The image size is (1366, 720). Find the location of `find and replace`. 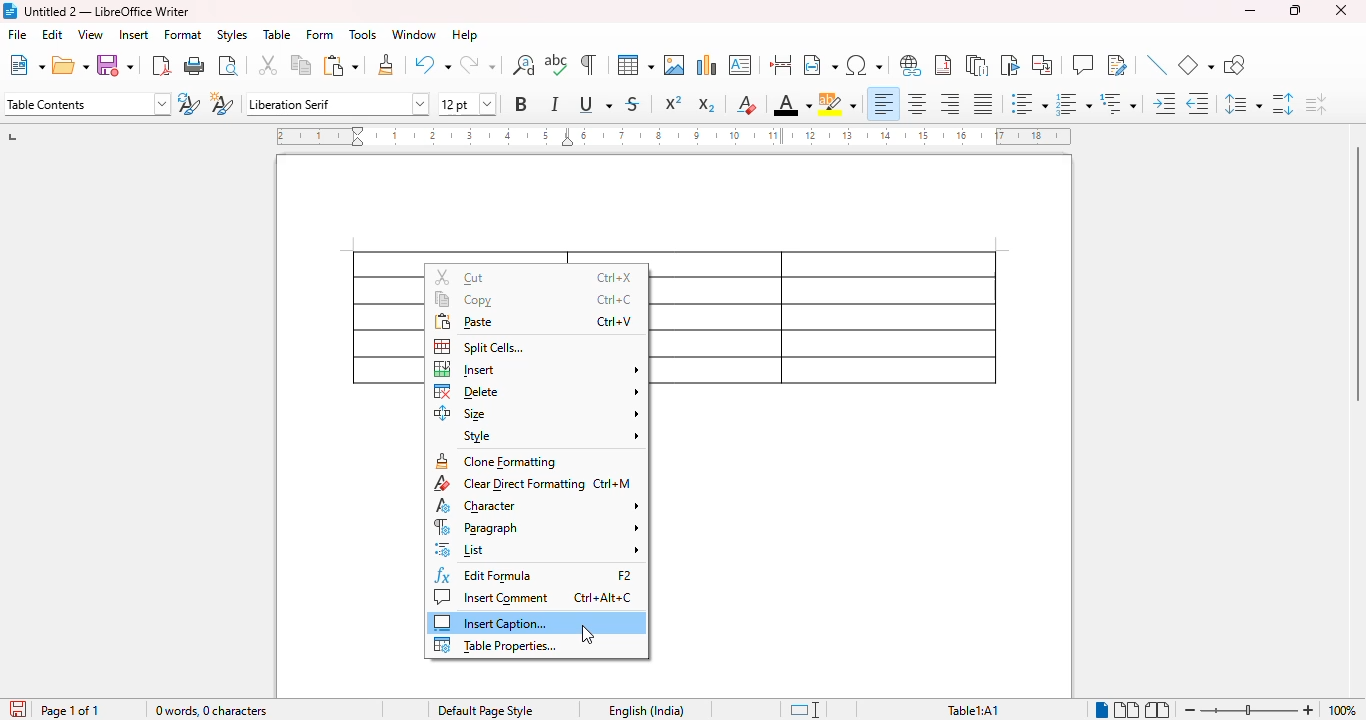

find and replace is located at coordinates (523, 65).